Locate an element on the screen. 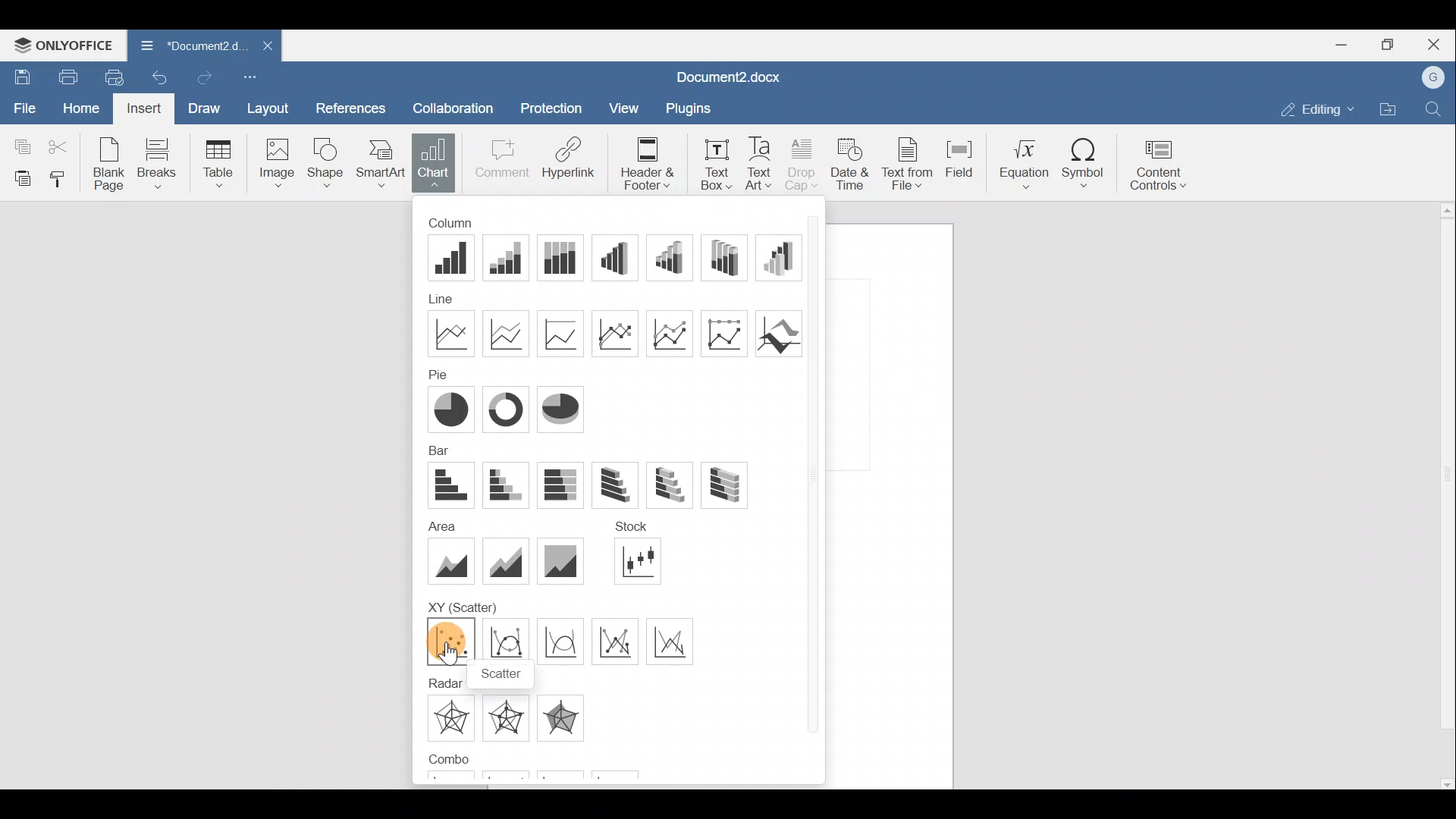 This screenshot has width=1456, height=819. Area is located at coordinates (438, 524).